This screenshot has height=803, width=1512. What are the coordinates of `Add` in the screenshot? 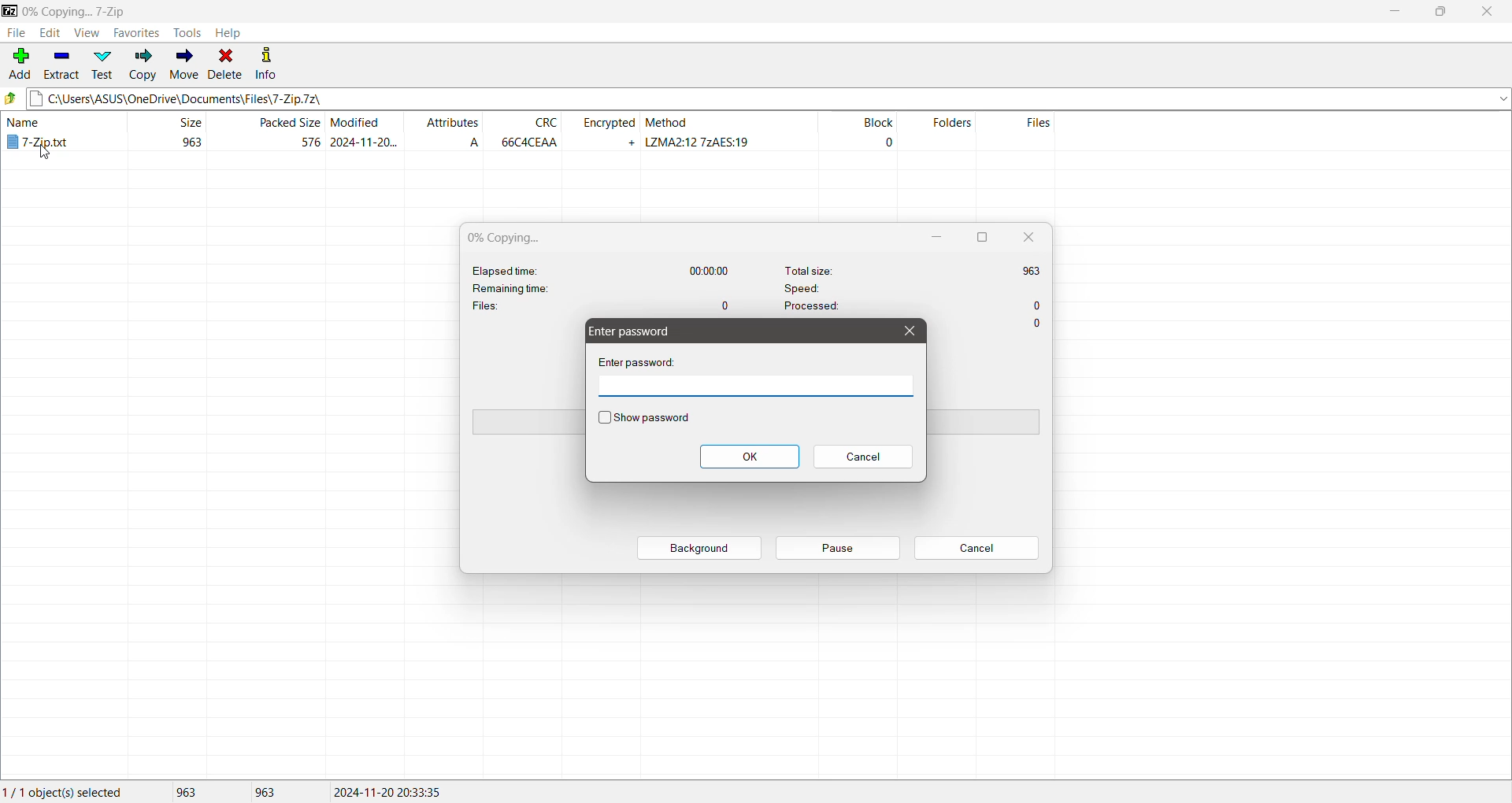 It's located at (19, 65).